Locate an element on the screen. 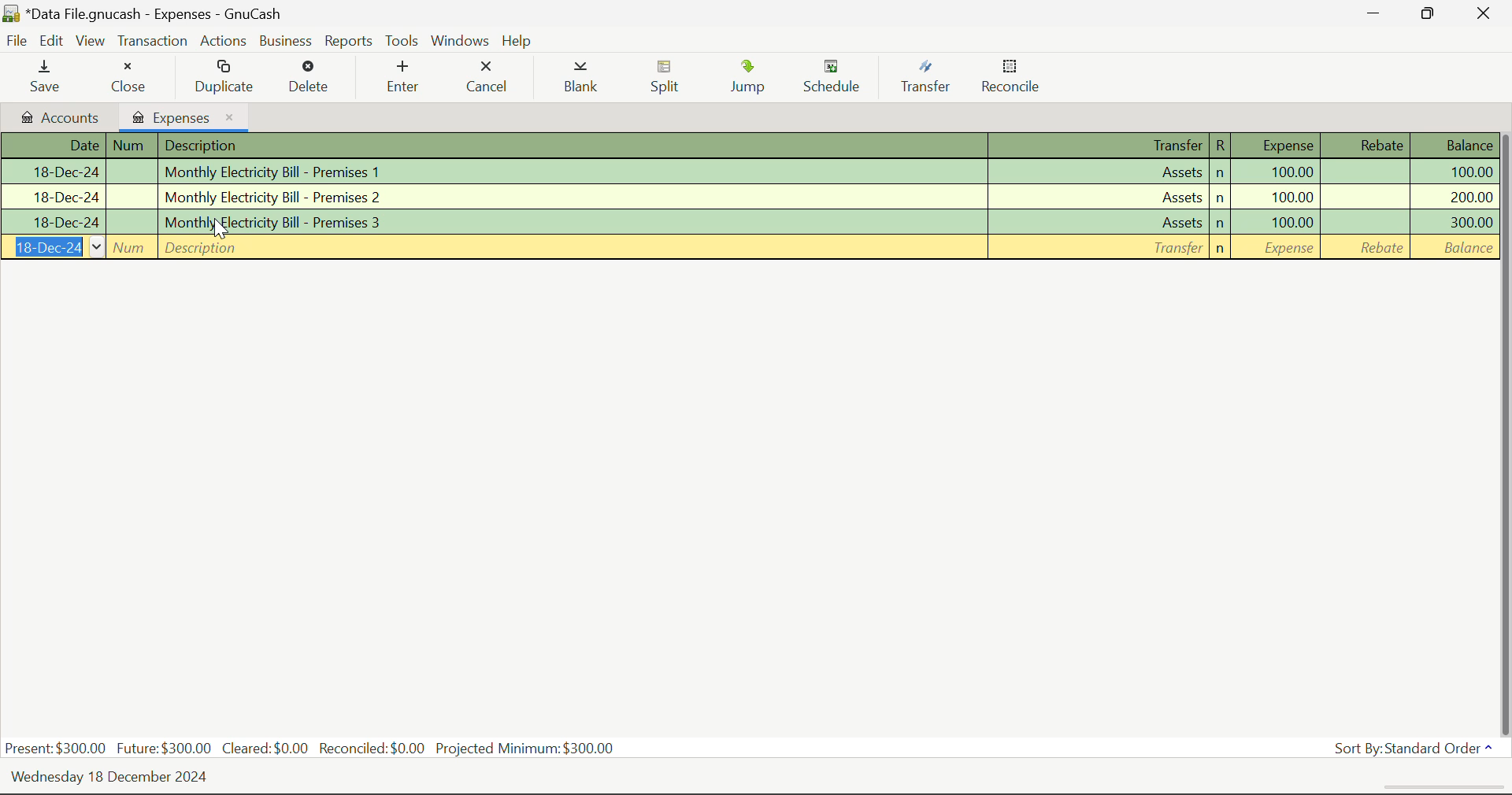  Windows is located at coordinates (458, 41).